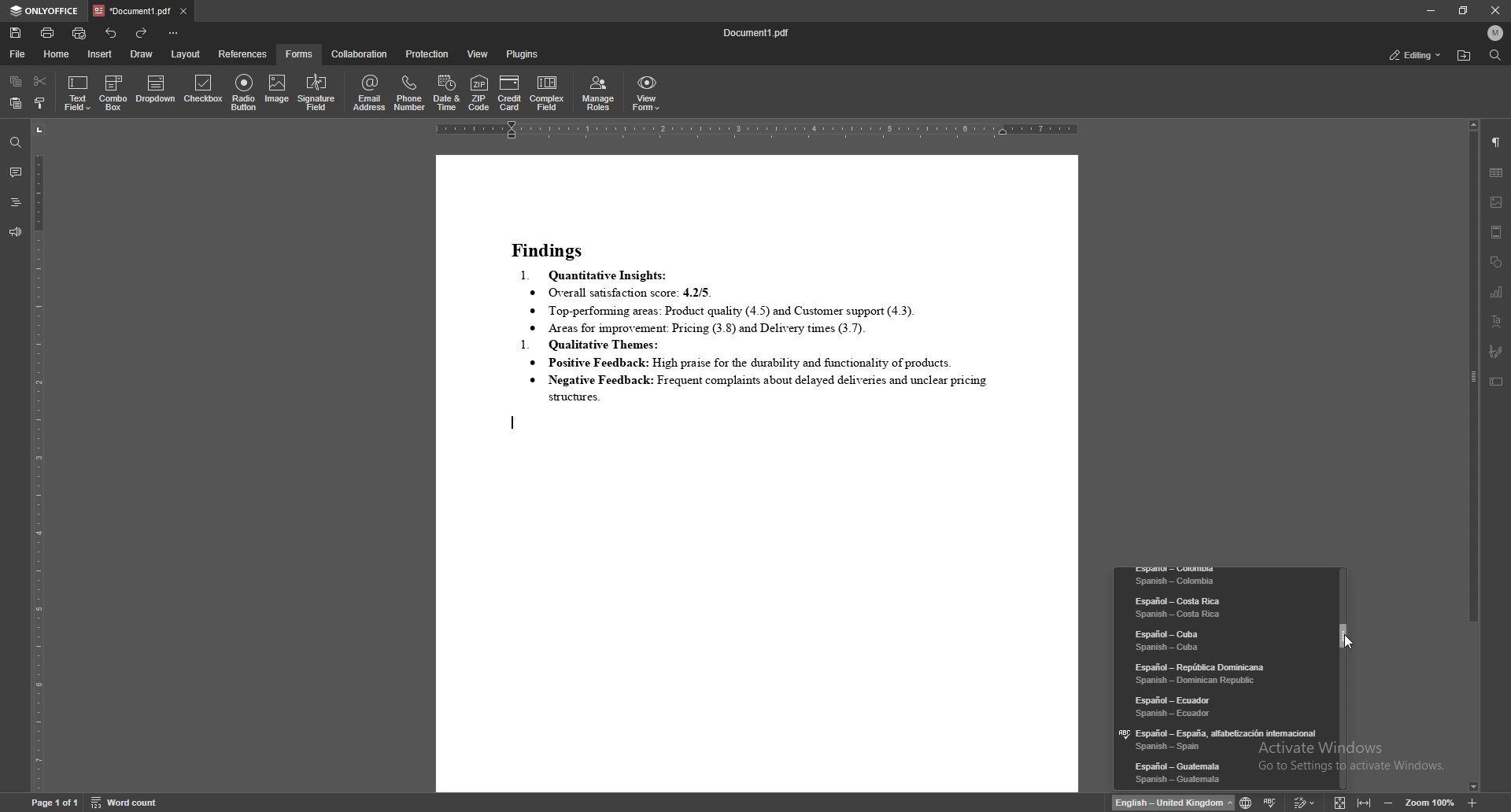 Image resolution: width=1511 pixels, height=812 pixels. Describe the element at coordinates (480, 92) in the screenshot. I see `zip code` at that location.